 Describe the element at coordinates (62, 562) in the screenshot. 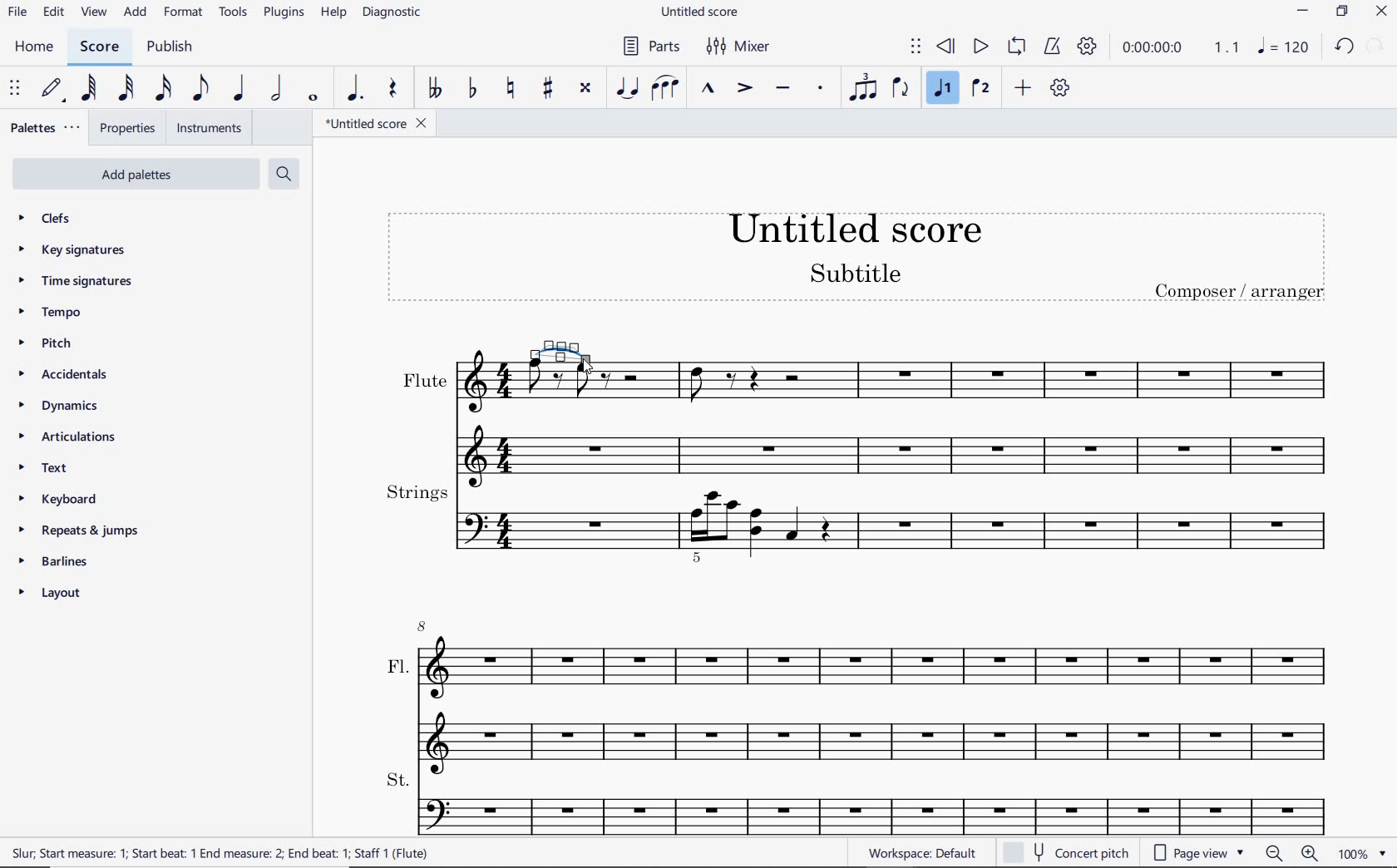

I see `barlines` at that location.